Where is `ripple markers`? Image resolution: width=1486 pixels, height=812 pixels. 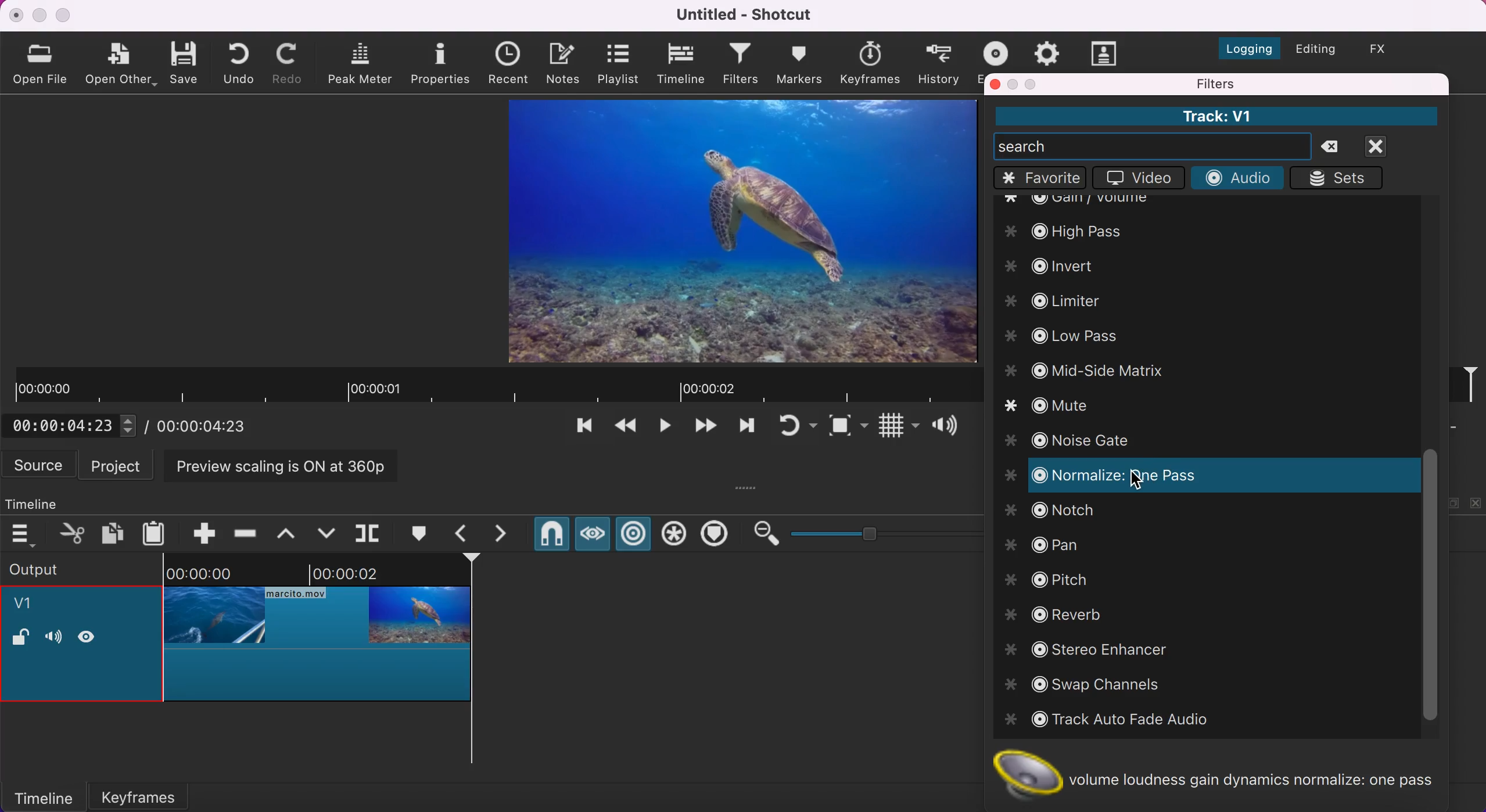 ripple markers is located at coordinates (717, 535).